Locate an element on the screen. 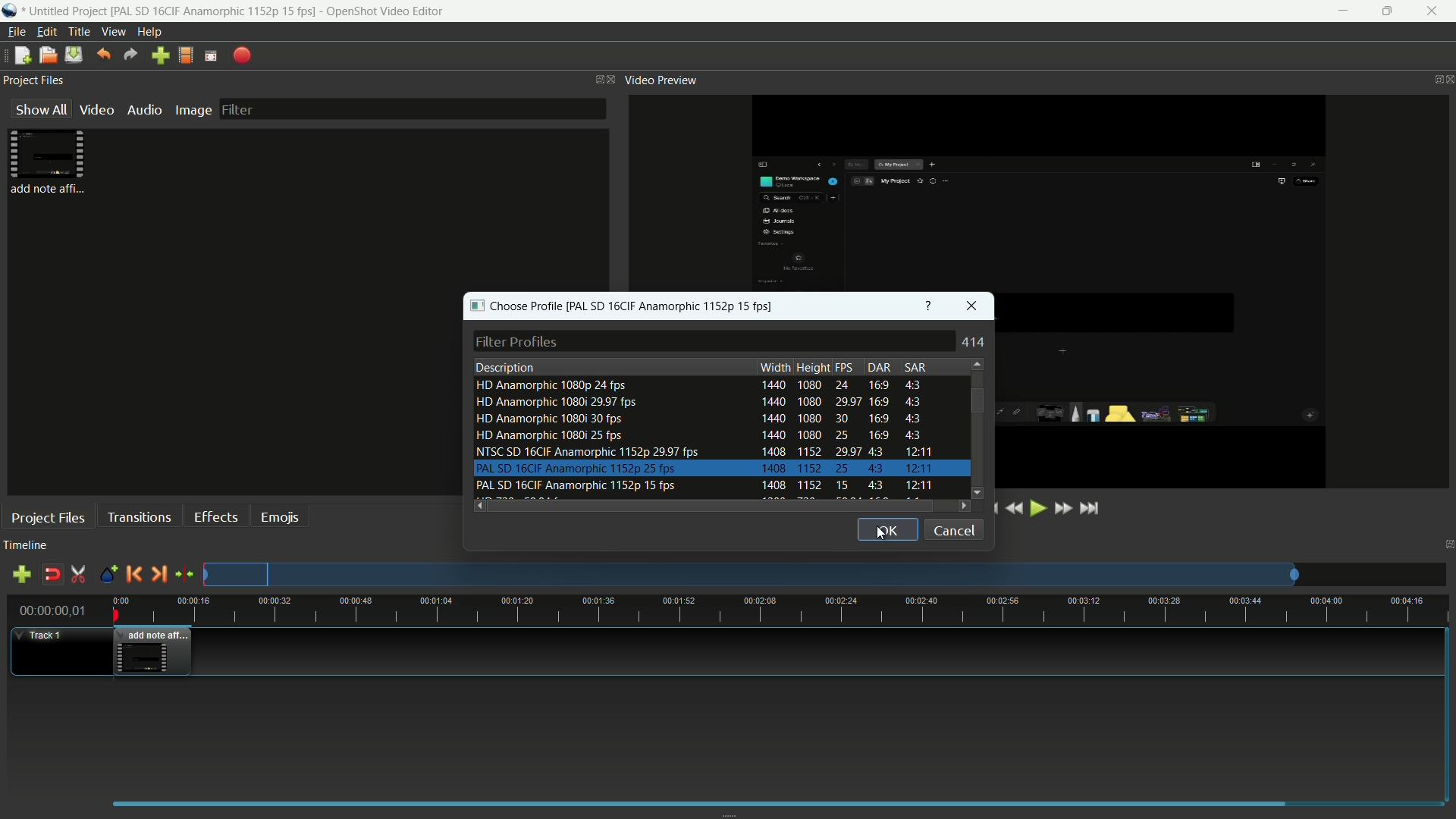 Image resolution: width=1456 pixels, height=819 pixels. image is located at coordinates (190, 111).